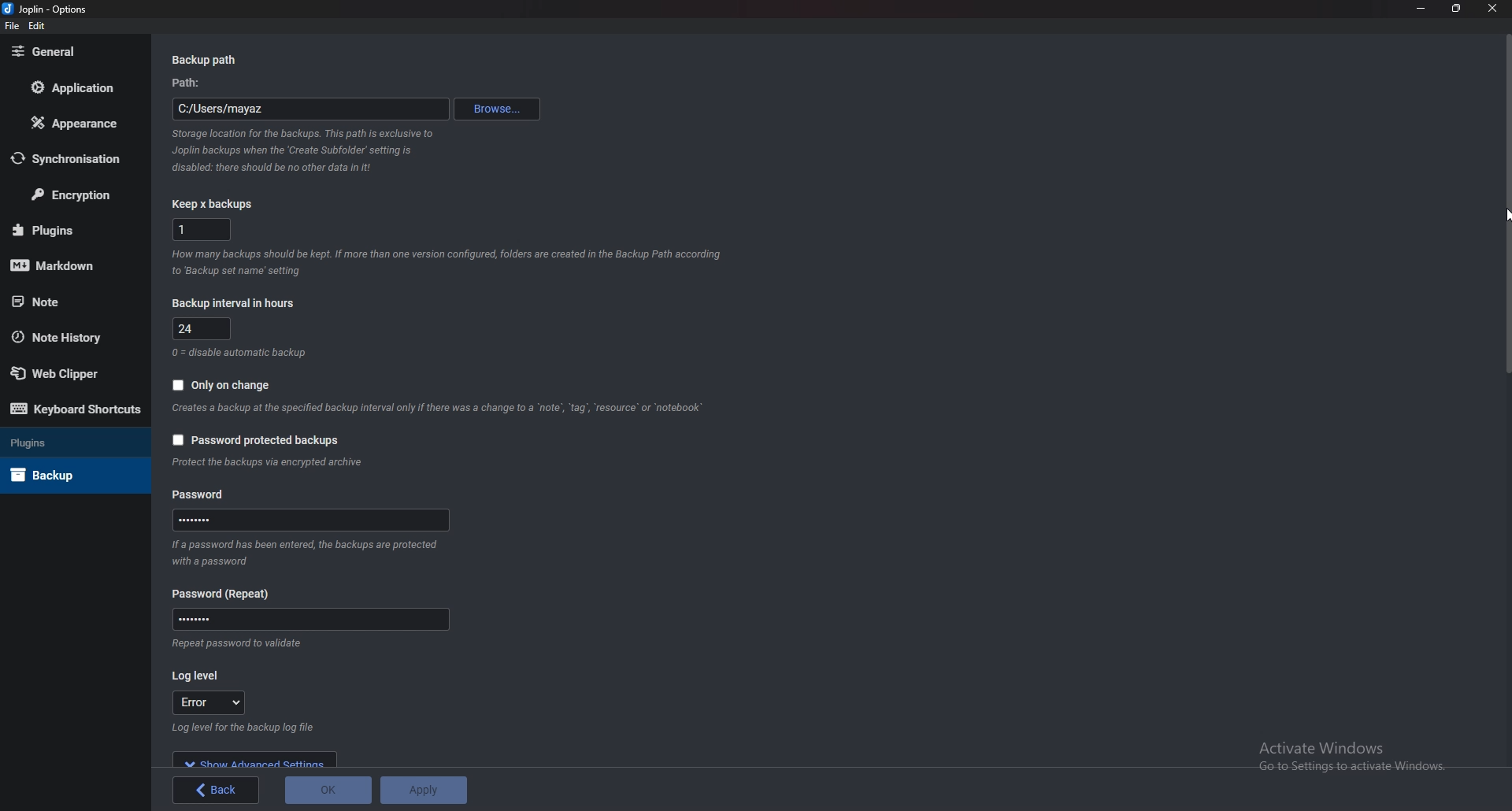  Describe the element at coordinates (309, 619) in the screenshot. I see `Password` at that location.